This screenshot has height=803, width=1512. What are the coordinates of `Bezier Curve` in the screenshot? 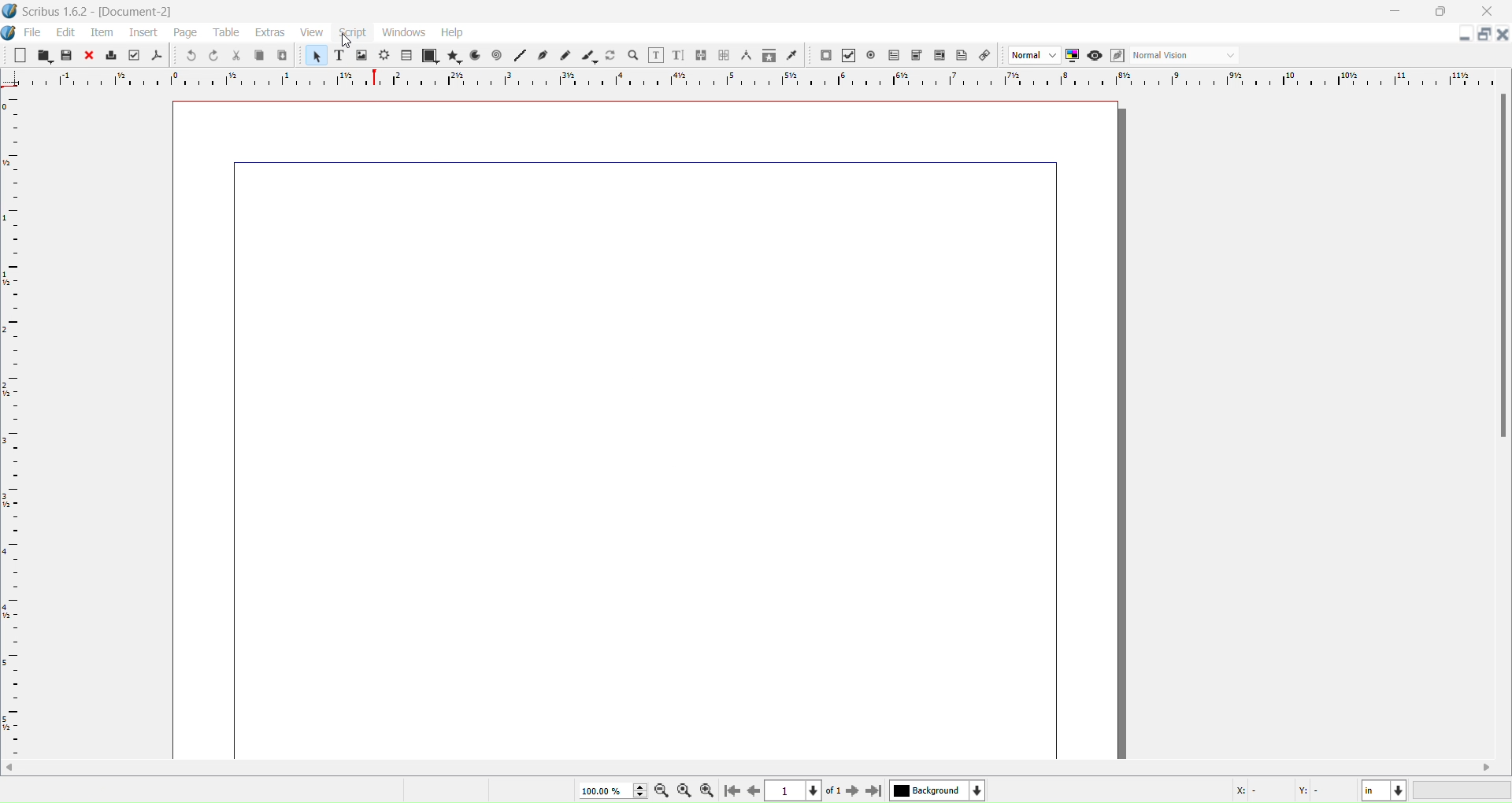 It's located at (543, 56).